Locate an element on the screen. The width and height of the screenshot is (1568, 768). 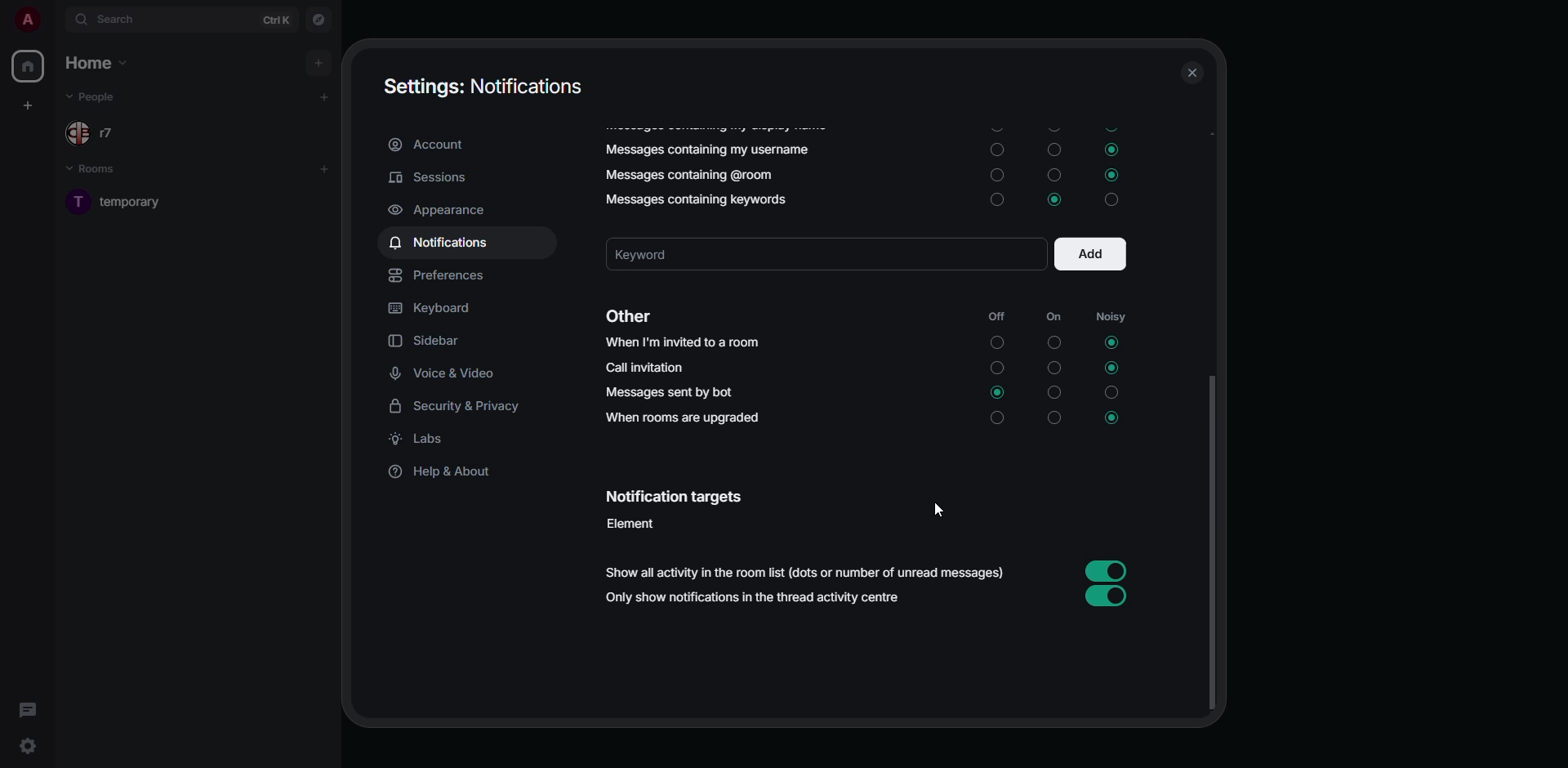
preferences is located at coordinates (439, 276).